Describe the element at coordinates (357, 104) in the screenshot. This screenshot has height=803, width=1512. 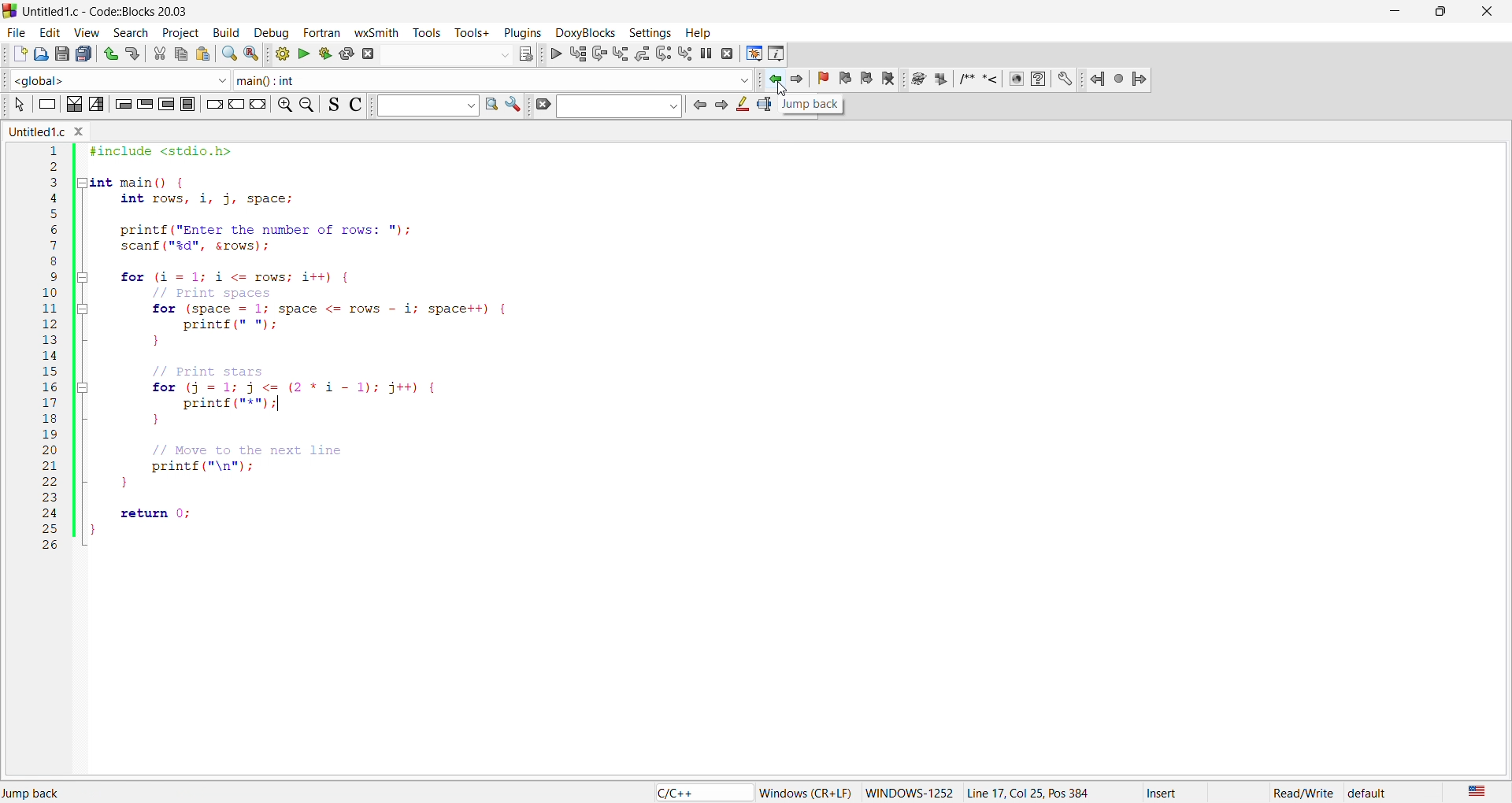
I see `icon` at that location.